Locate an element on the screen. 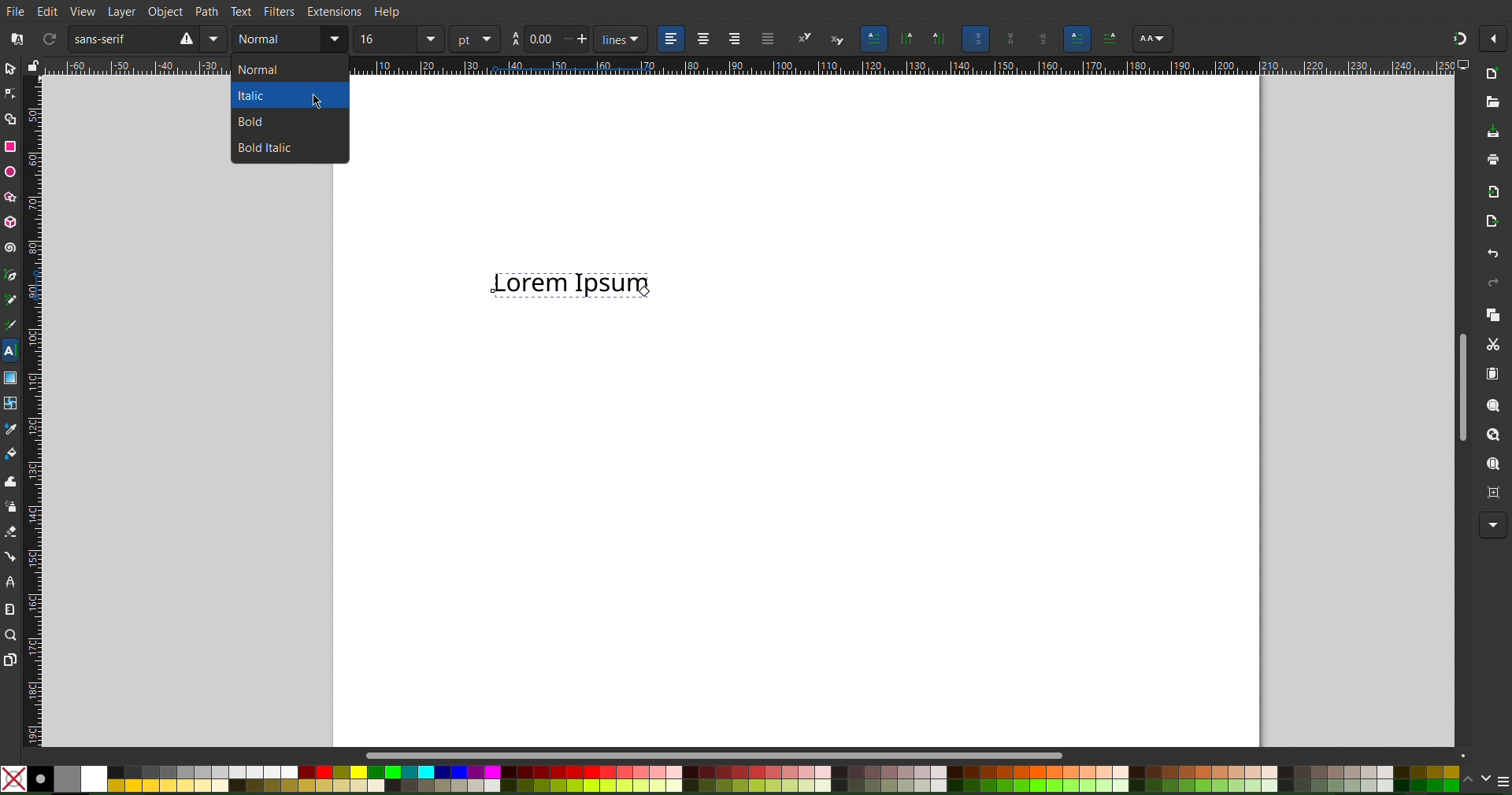 This screenshot has width=1512, height=795. Eraser Tool is located at coordinates (11, 531).